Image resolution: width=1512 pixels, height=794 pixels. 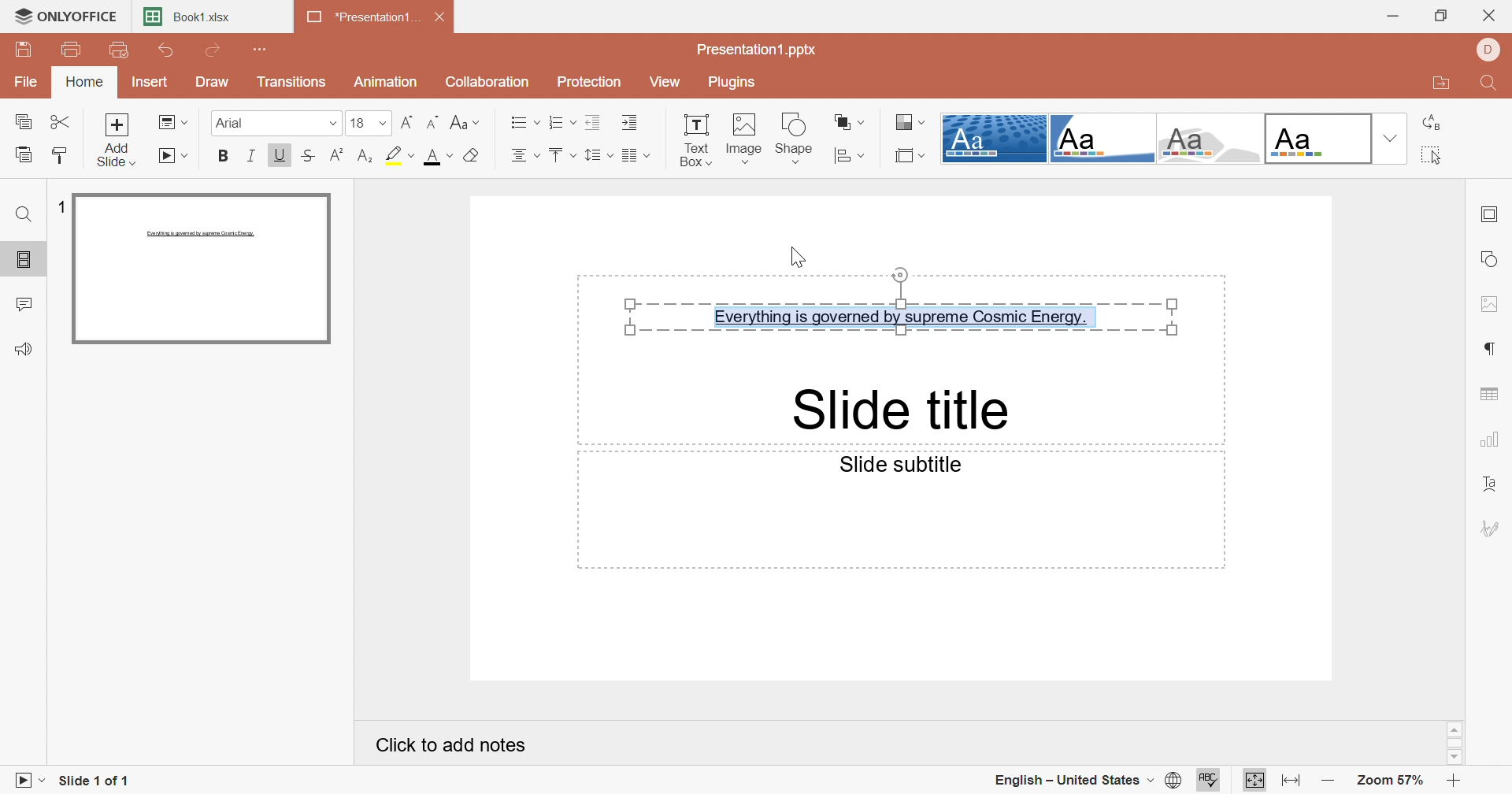 I want to click on Start slideshow, so click(x=28, y=782).